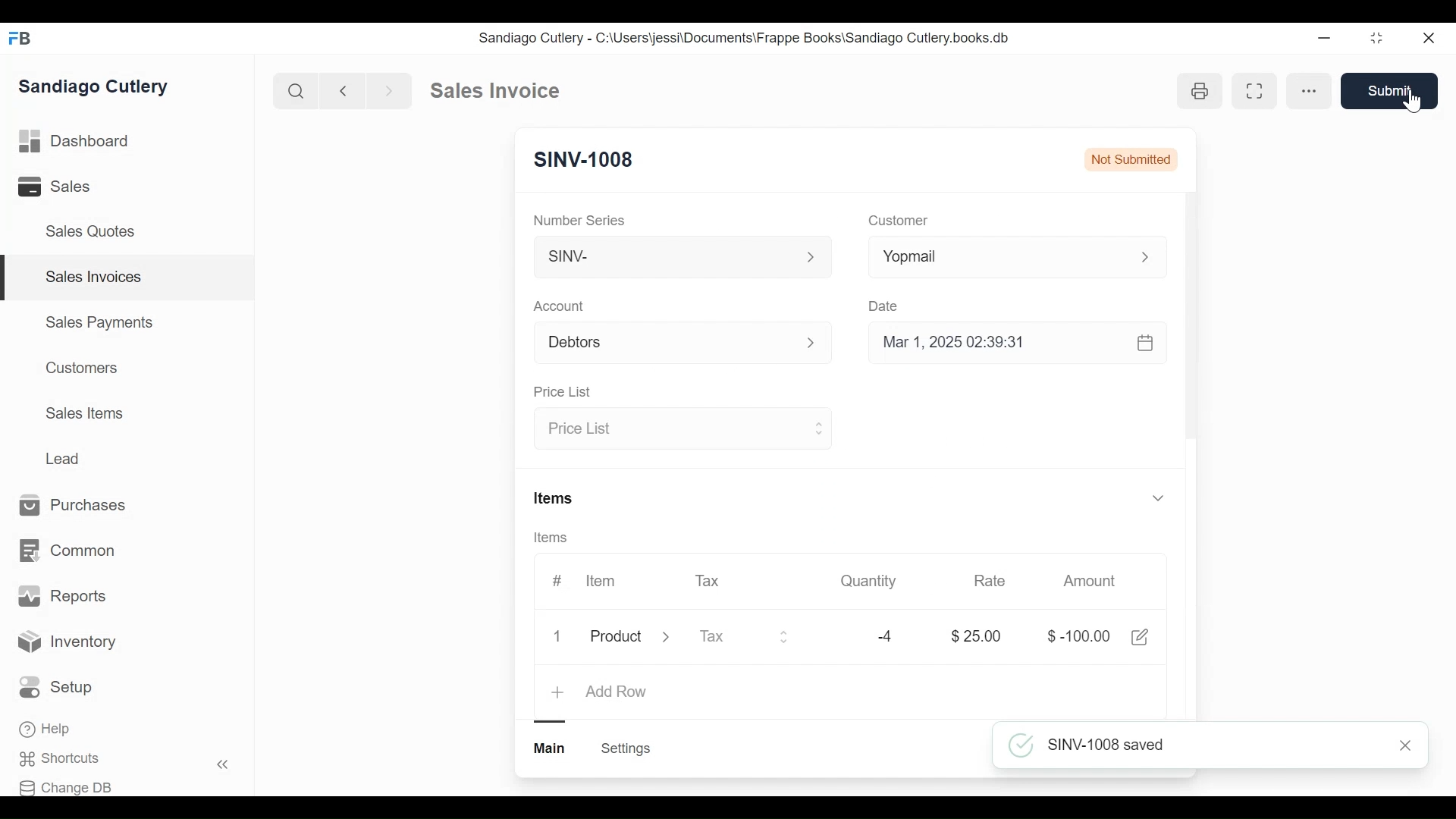 Image resolution: width=1456 pixels, height=819 pixels. Describe the element at coordinates (676, 255) in the screenshot. I see `SINV-` at that location.